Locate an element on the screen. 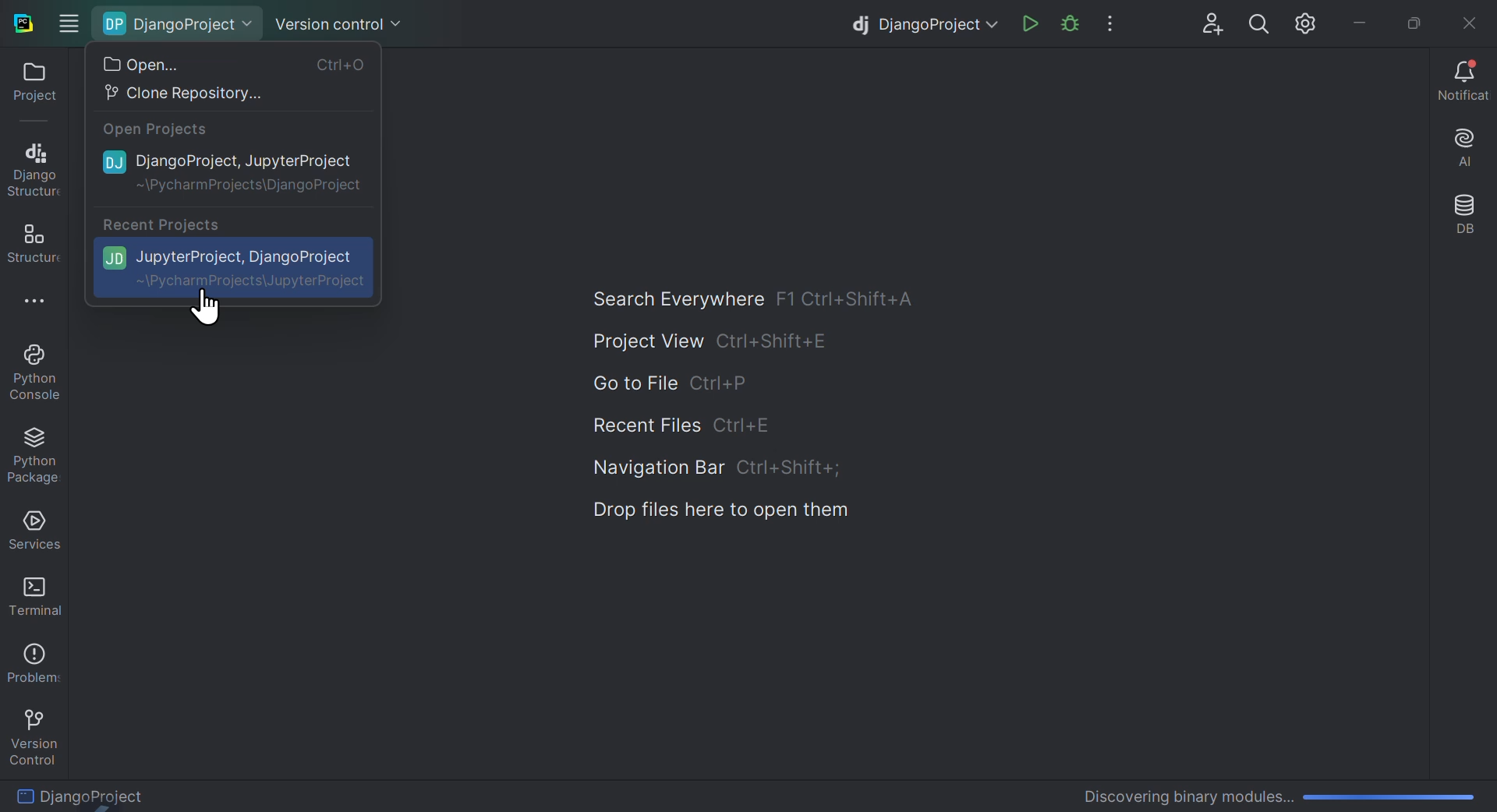 The width and height of the screenshot is (1497, 812). Project view is located at coordinates (639, 342).